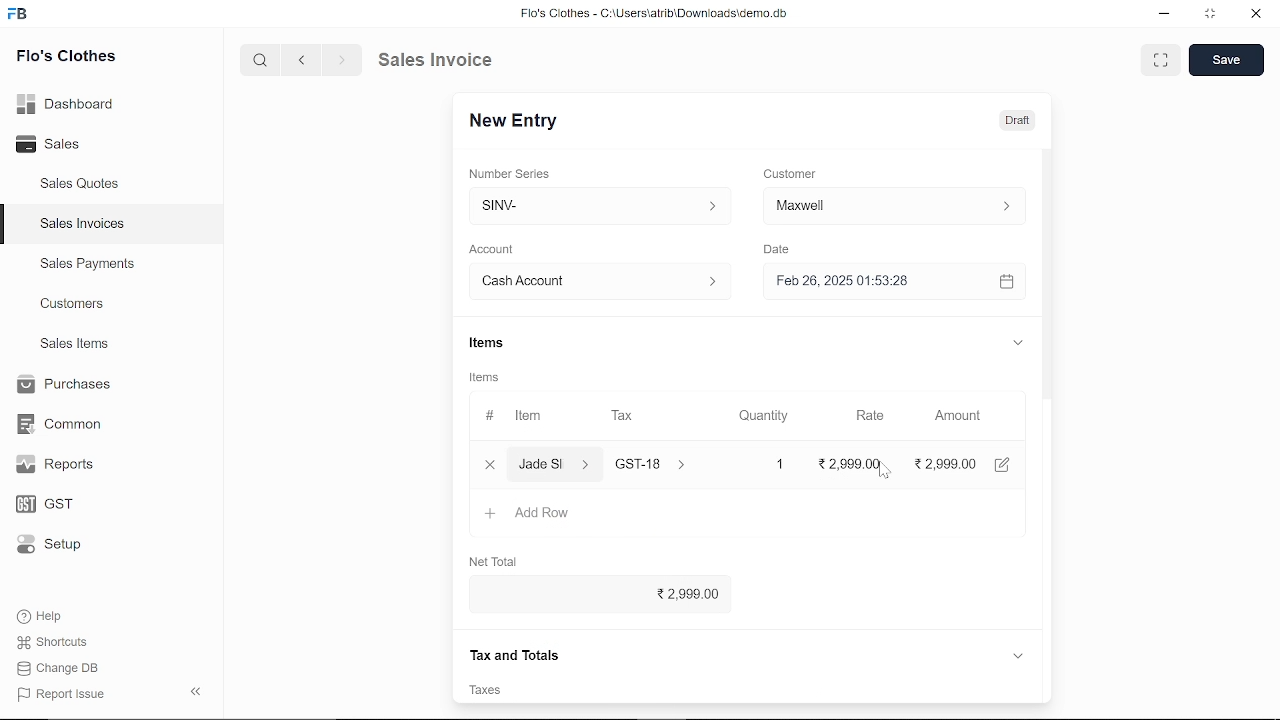 Image resolution: width=1280 pixels, height=720 pixels. I want to click on 2,999.00, so click(594, 595).